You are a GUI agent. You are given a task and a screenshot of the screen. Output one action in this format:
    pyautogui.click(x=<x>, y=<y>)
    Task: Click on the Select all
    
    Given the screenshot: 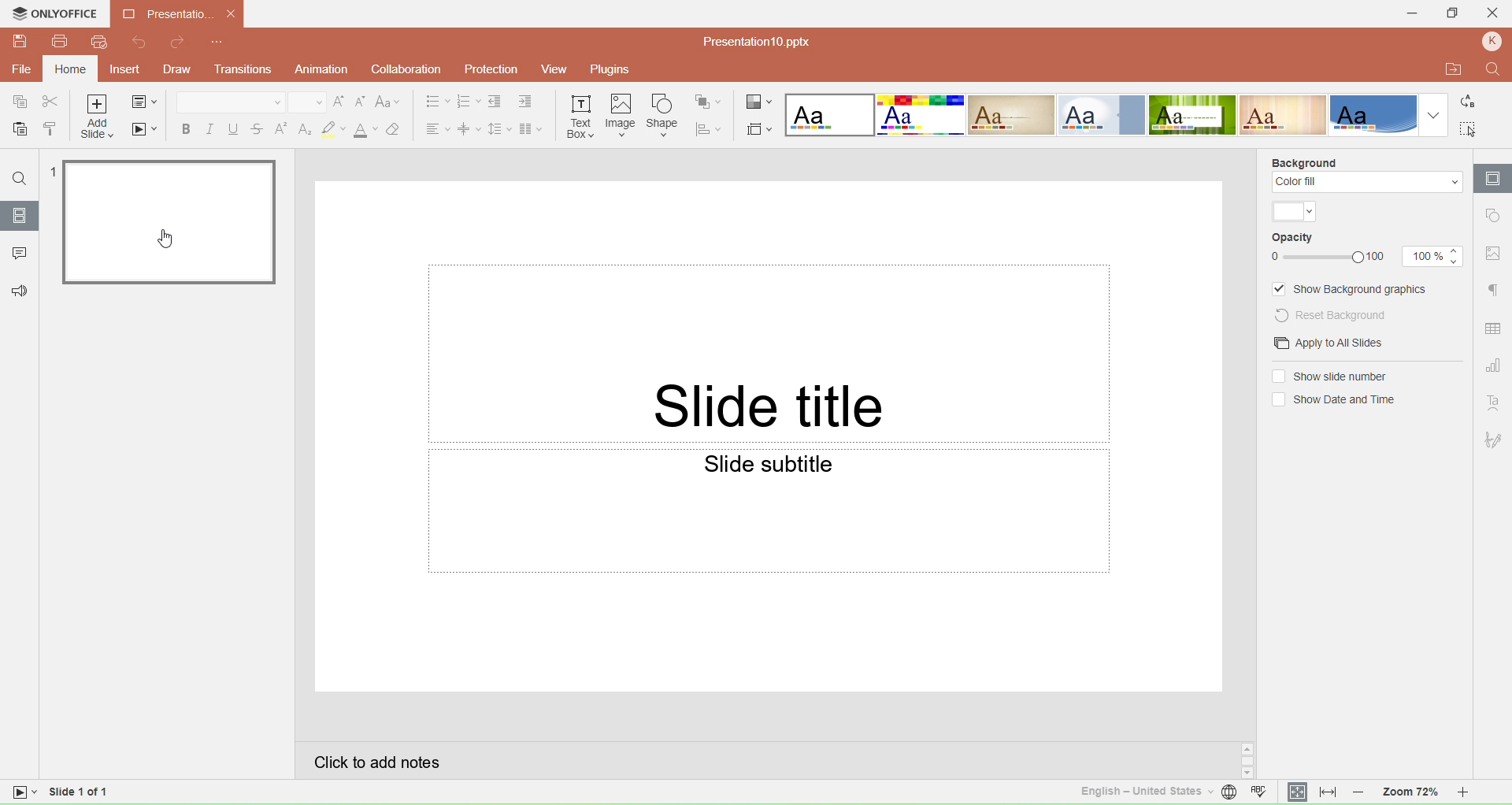 What is the action you would take?
    pyautogui.click(x=1470, y=128)
    